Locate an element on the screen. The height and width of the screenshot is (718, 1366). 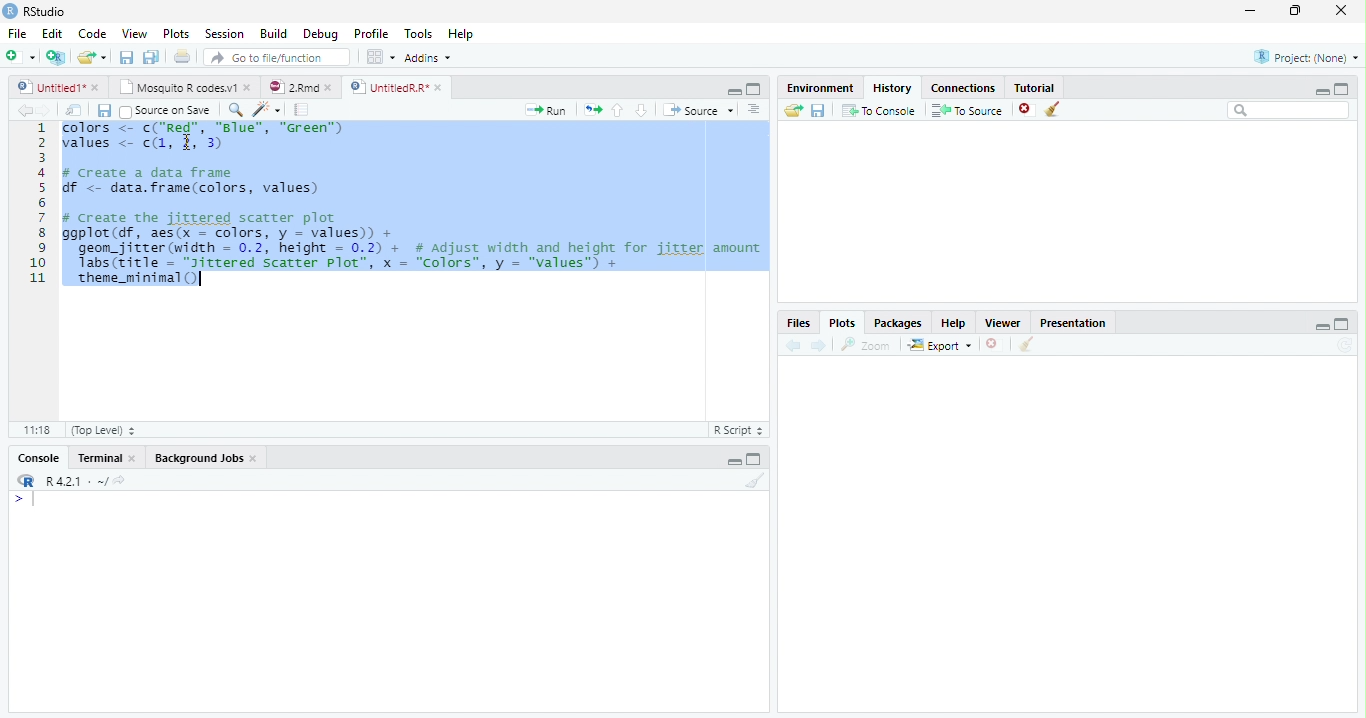
Edit is located at coordinates (52, 34).